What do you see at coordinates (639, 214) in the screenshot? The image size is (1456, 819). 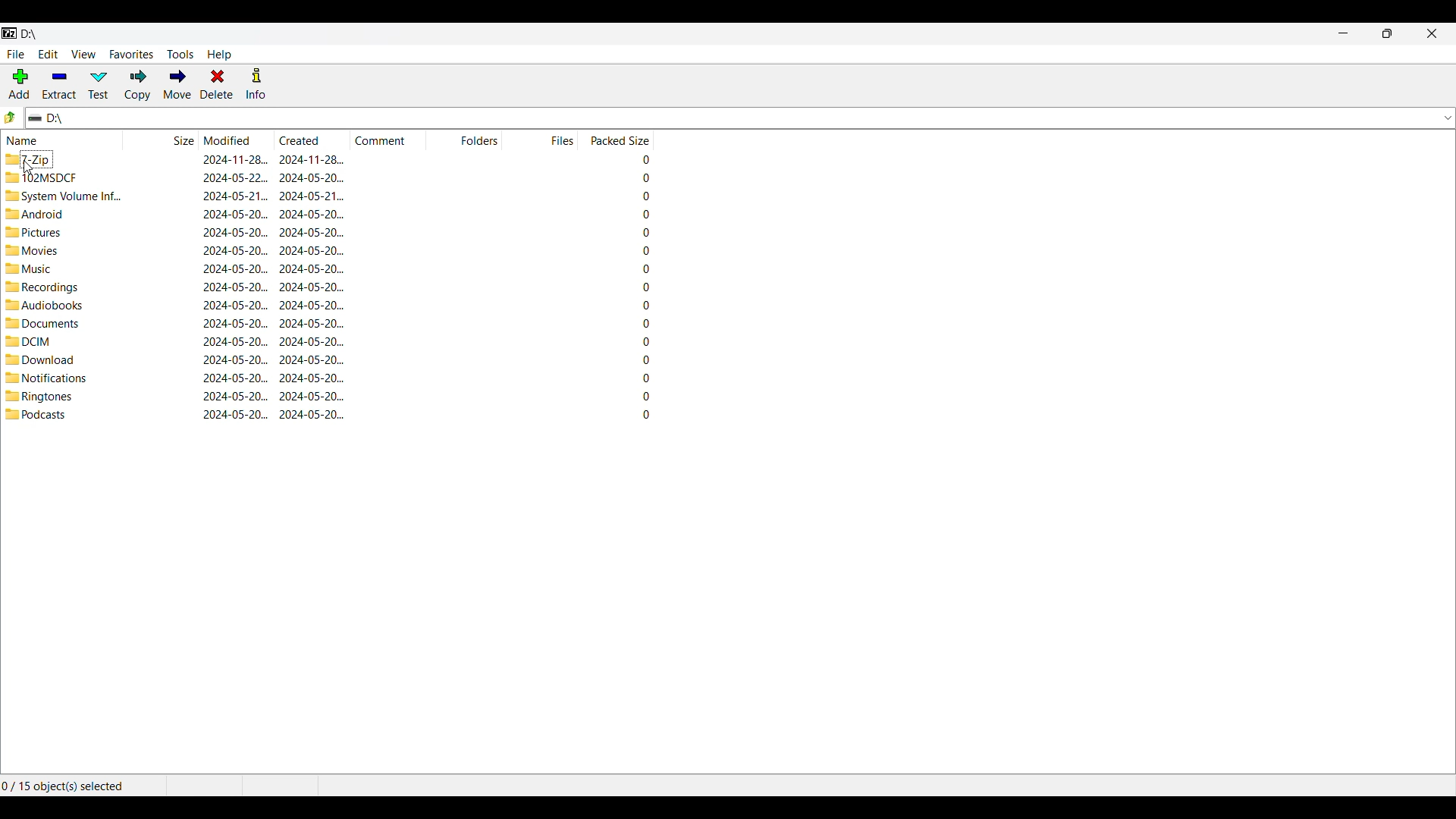 I see `packed size` at bounding box center [639, 214].